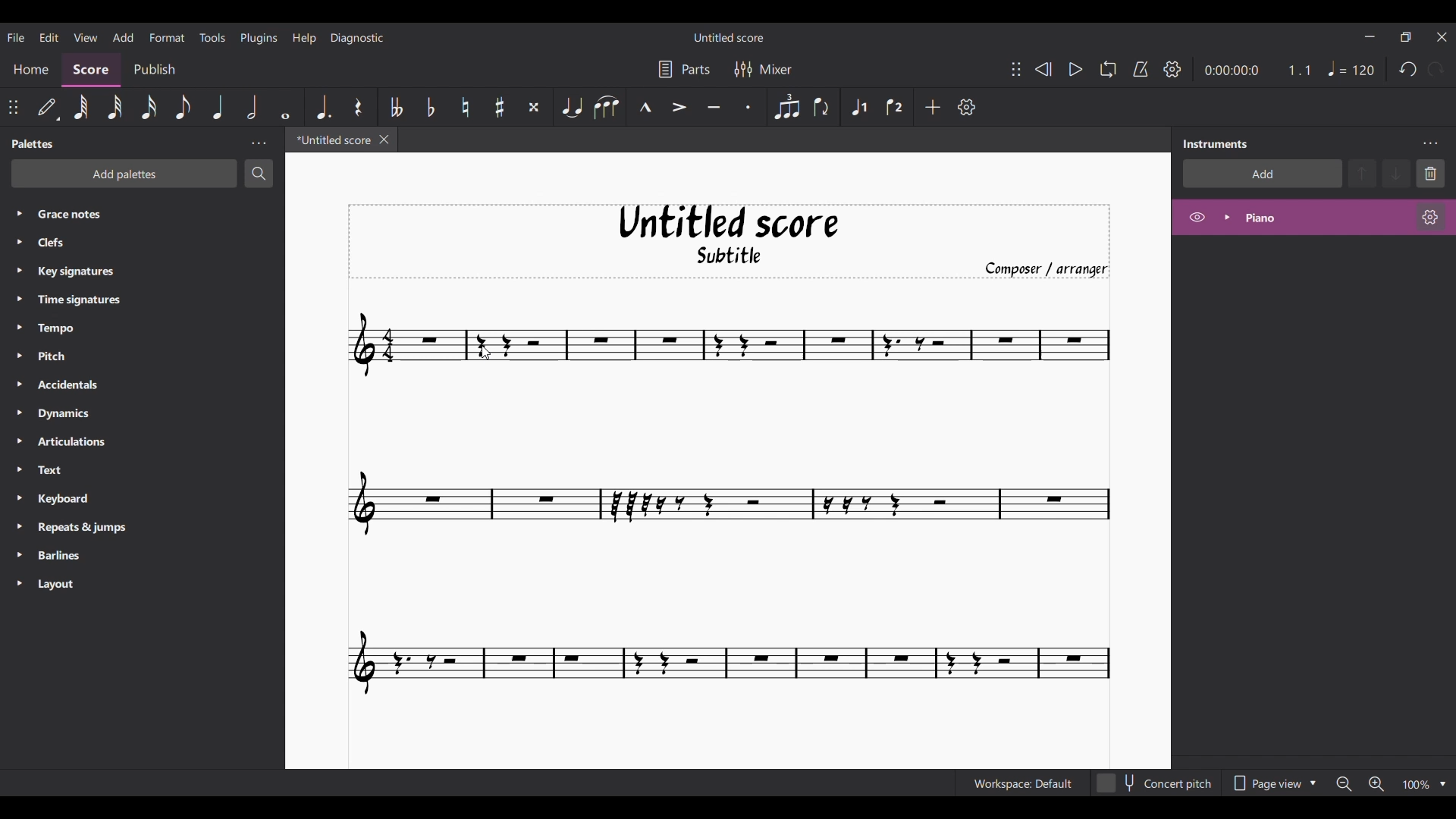  Describe the element at coordinates (1362, 173) in the screenshot. I see `Move up` at that location.